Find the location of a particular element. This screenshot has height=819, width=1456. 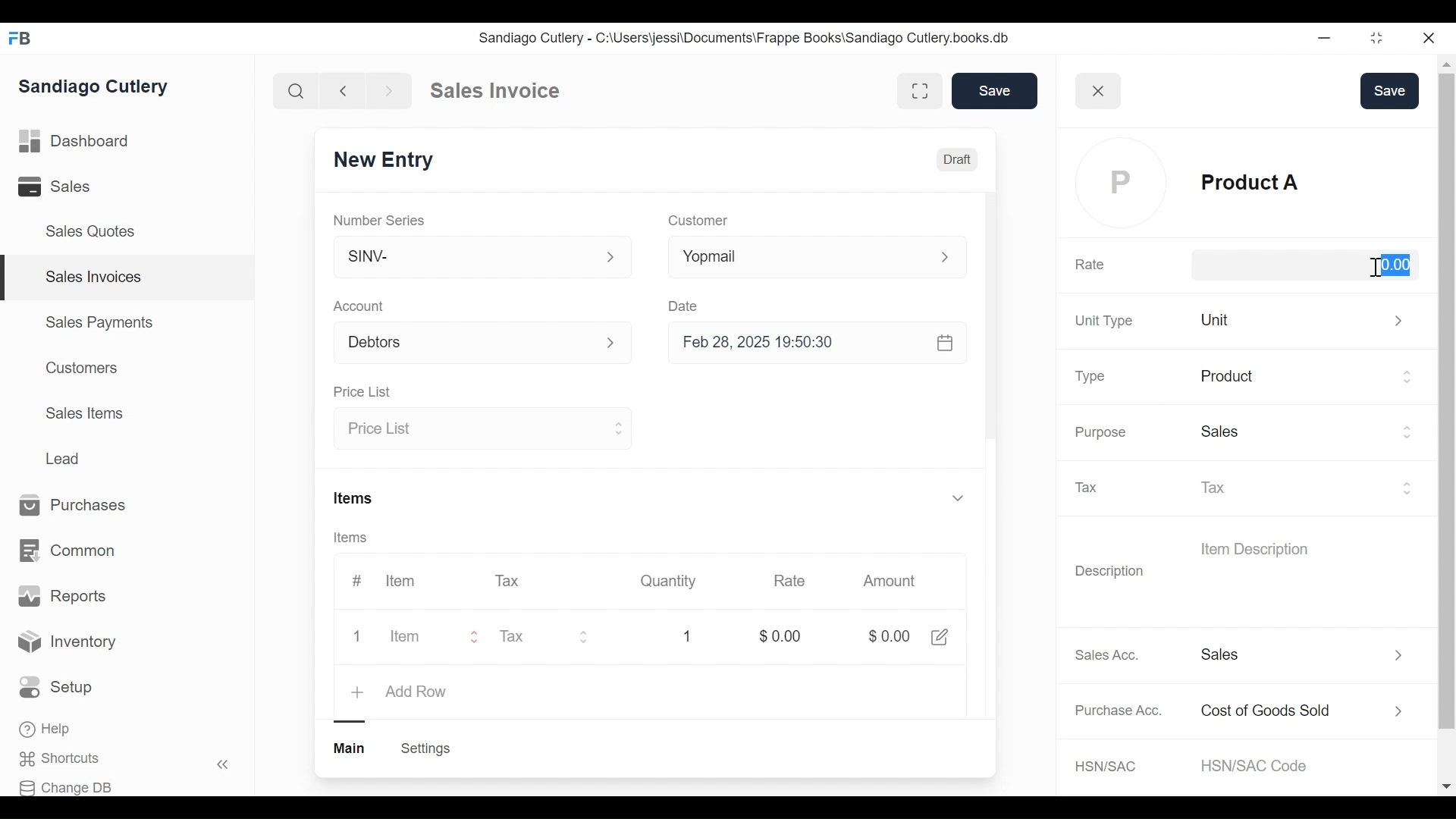

Save is located at coordinates (1390, 91).